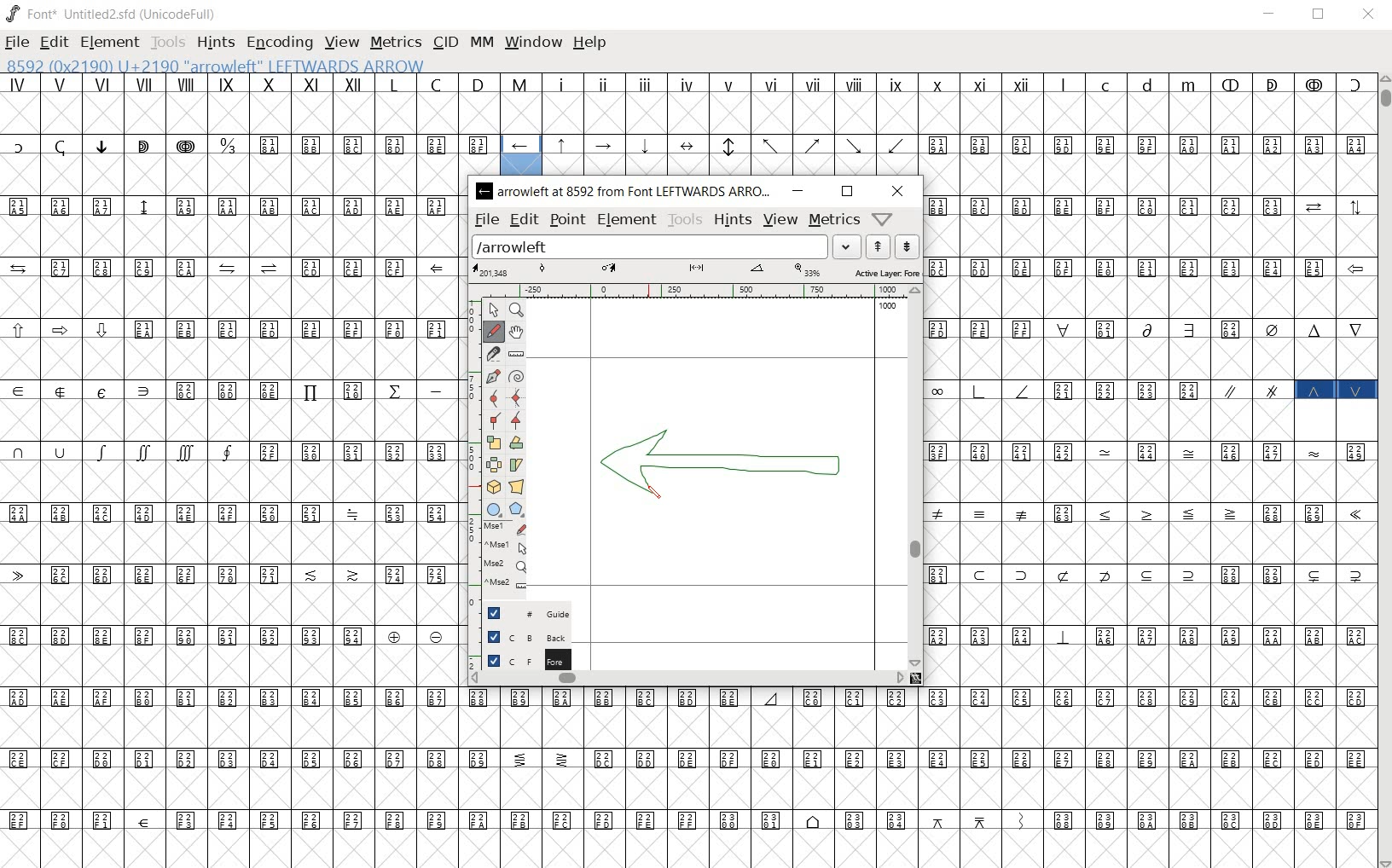 Image resolution: width=1392 pixels, height=868 pixels. Describe the element at coordinates (492, 354) in the screenshot. I see `cut splines in two` at that location.